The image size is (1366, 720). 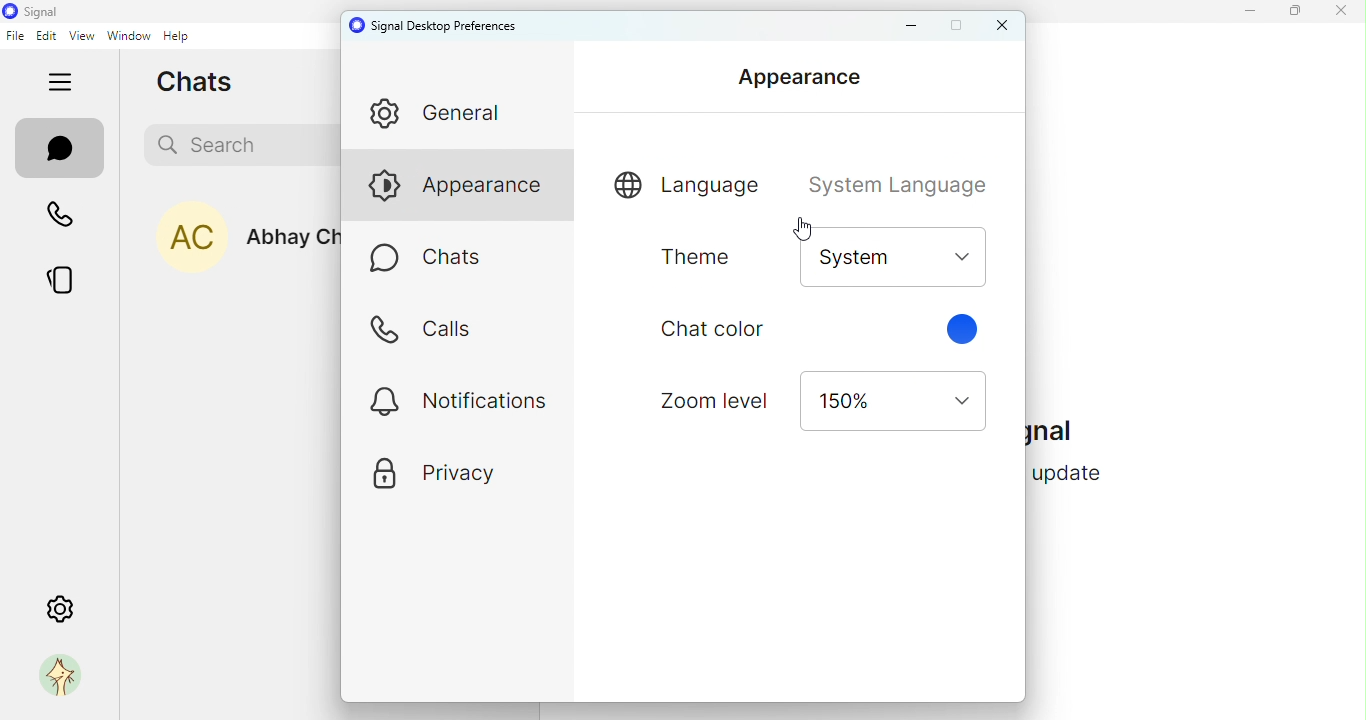 What do you see at coordinates (65, 278) in the screenshot?
I see `stories` at bounding box center [65, 278].